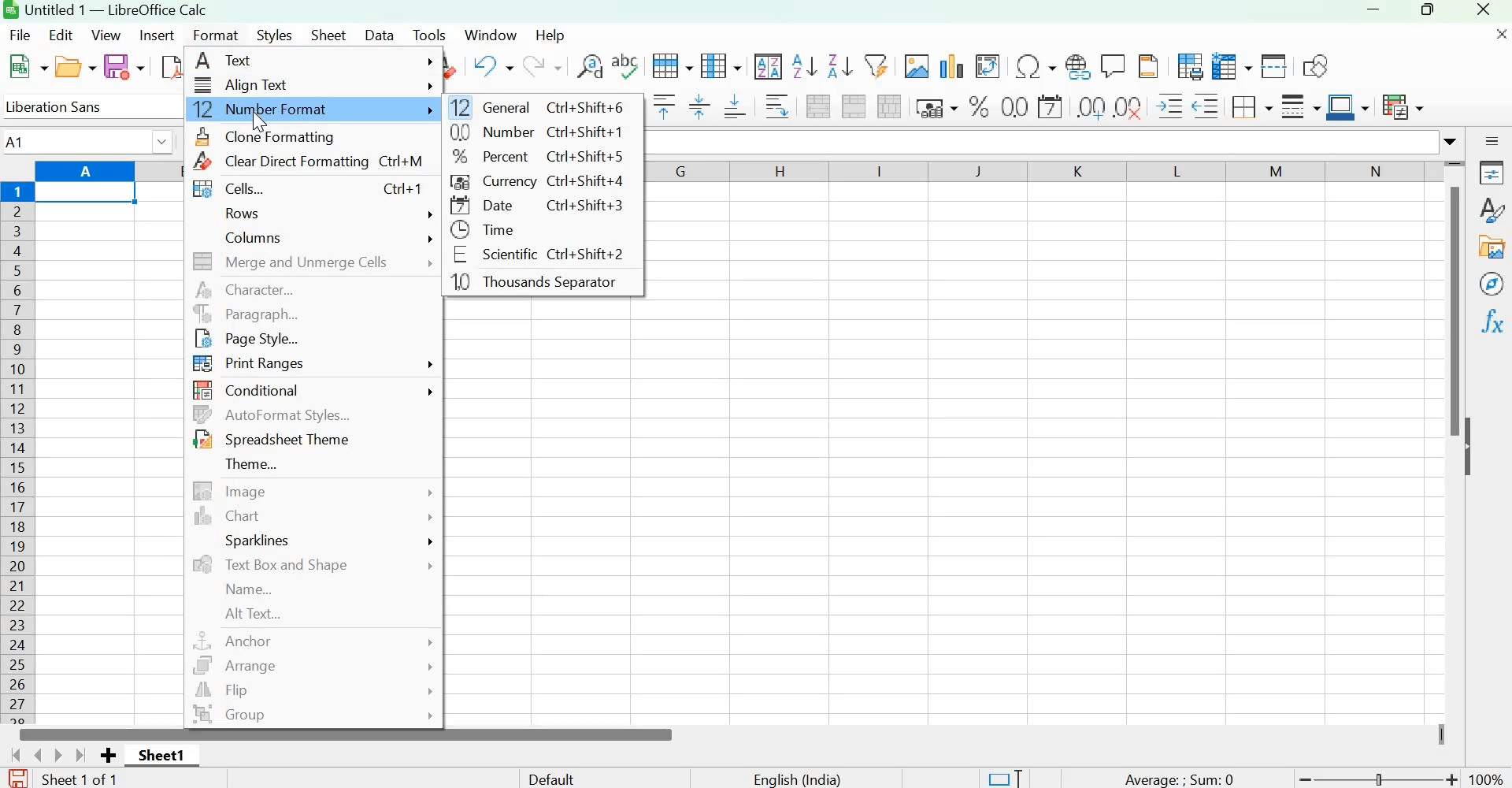 This screenshot has width=1512, height=788. I want to click on Increase Indent, so click(1171, 105).